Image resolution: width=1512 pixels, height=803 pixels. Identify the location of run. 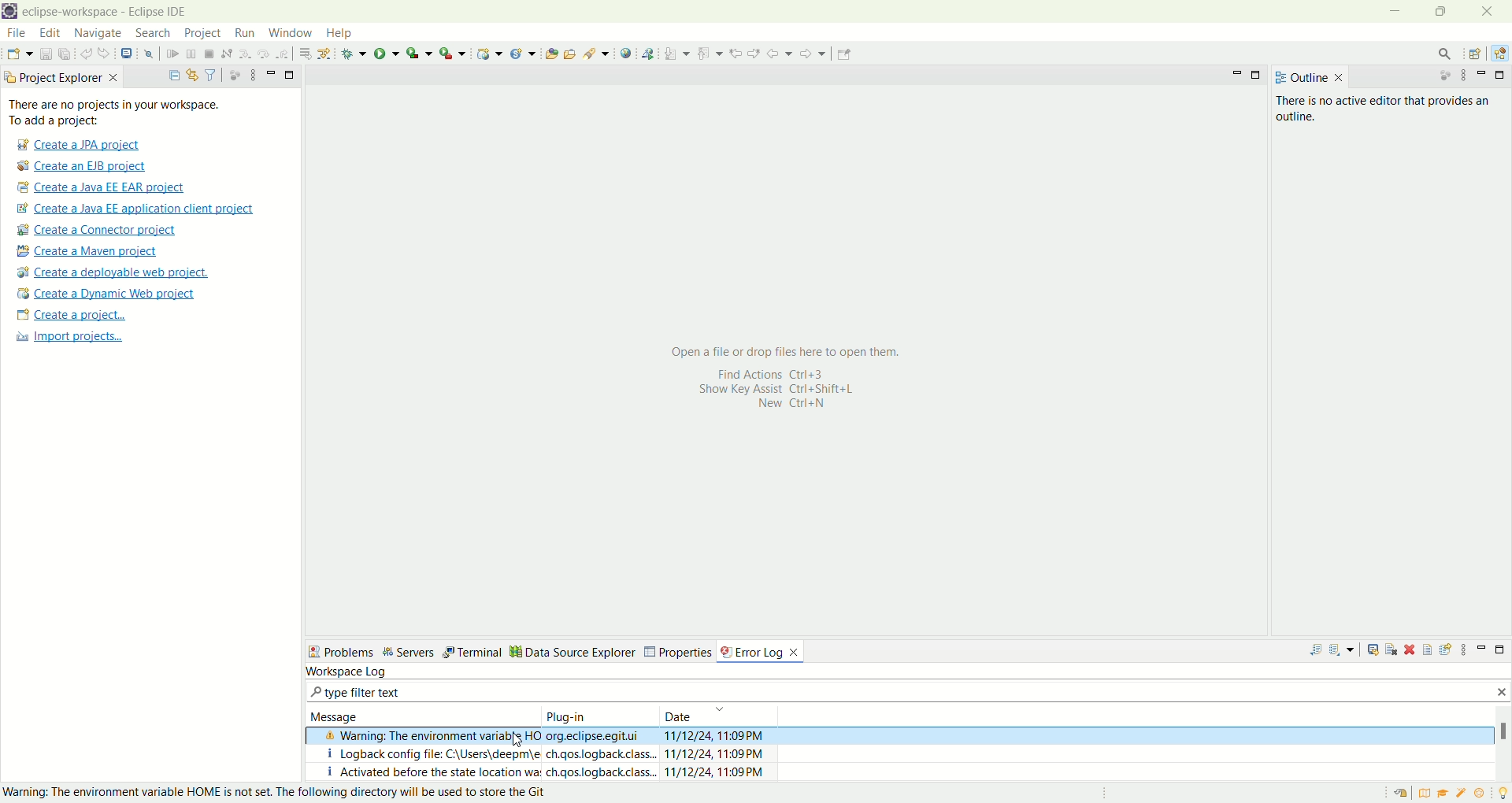
(243, 34).